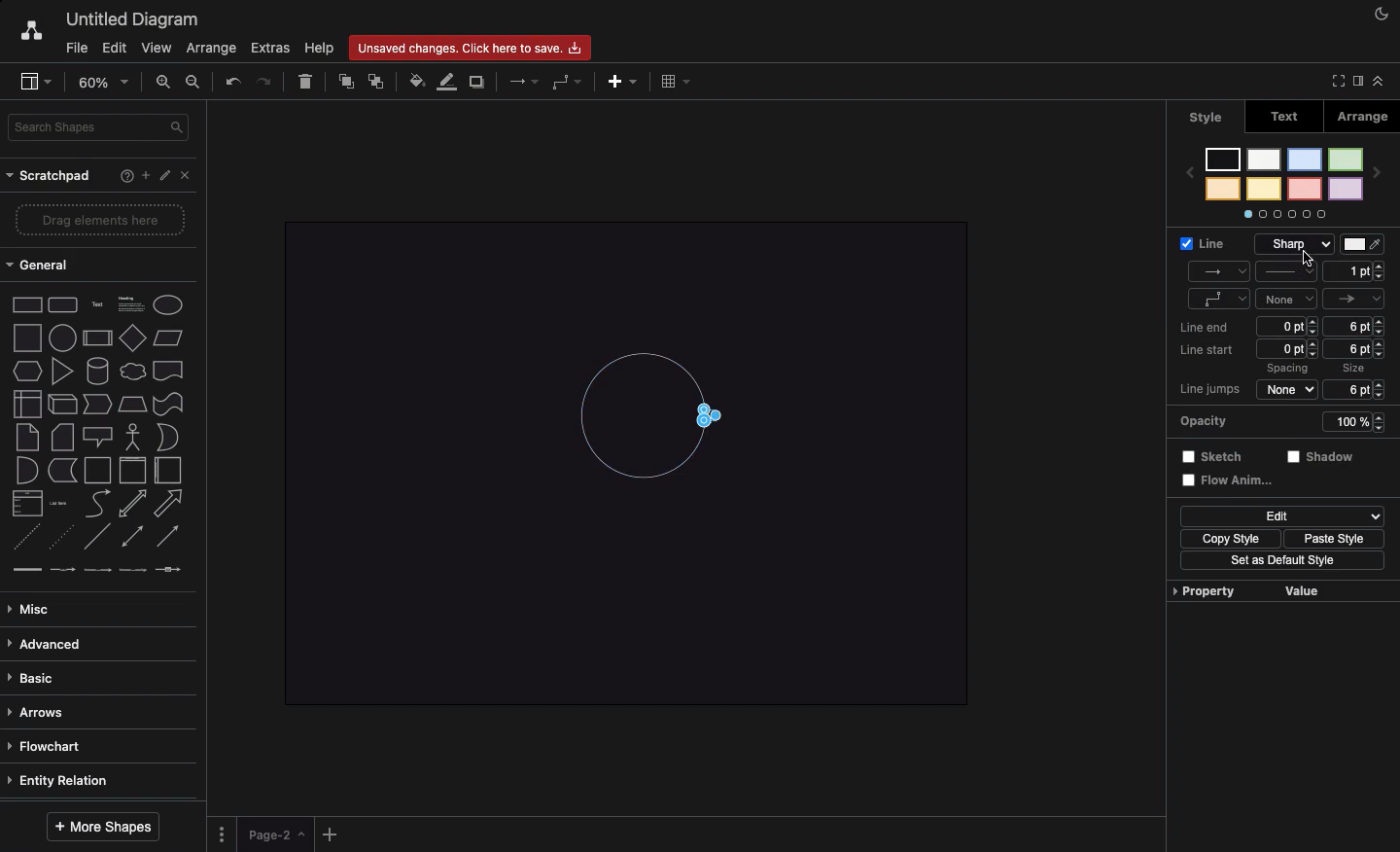 This screenshot has width=1400, height=852. What do you see at coordinates (1204, 327) in the screenshot?
I see `Line end` at bounding box center [1204, 327].